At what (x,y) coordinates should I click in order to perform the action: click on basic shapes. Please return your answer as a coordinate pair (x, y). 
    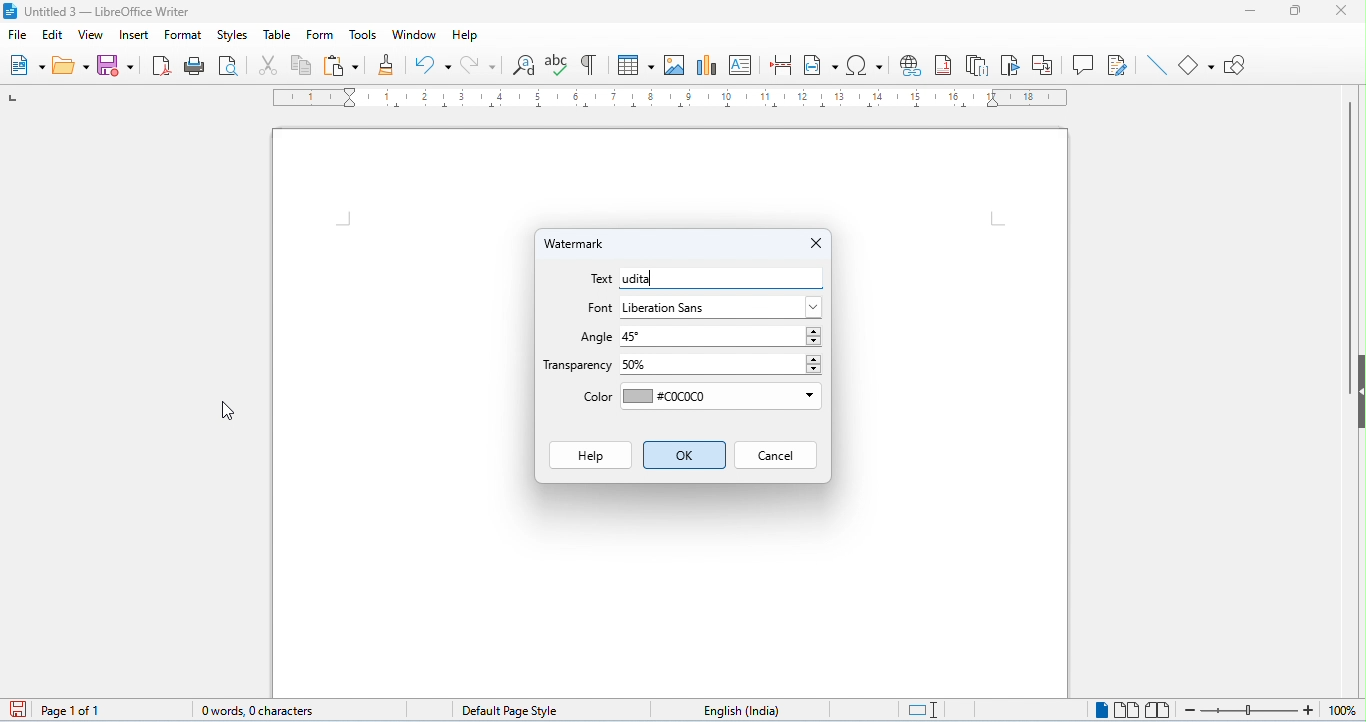
    Looking at the image, I should click on (1198, 66).